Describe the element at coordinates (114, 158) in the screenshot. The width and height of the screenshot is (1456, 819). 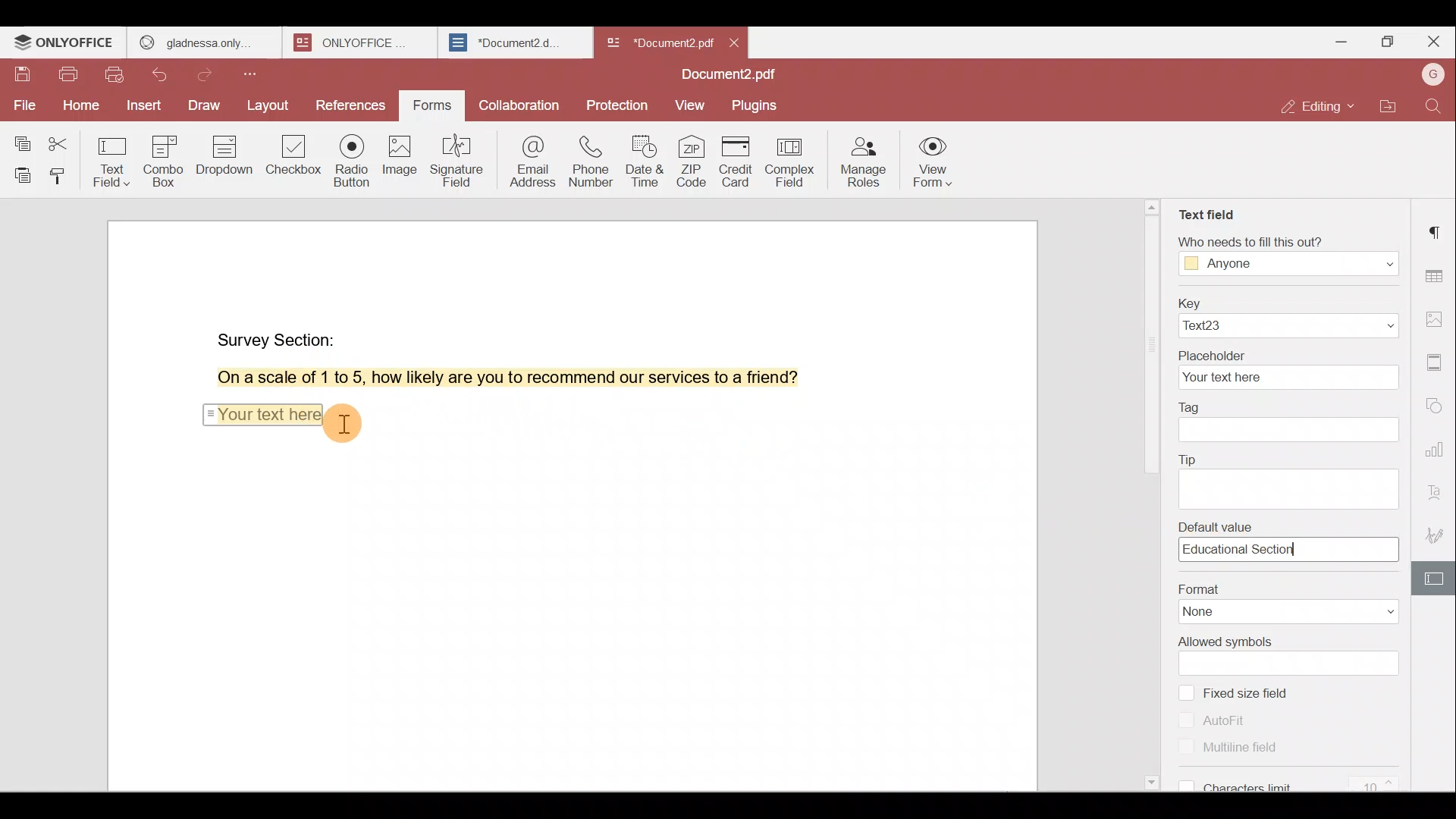
I see `Text field` at that location.